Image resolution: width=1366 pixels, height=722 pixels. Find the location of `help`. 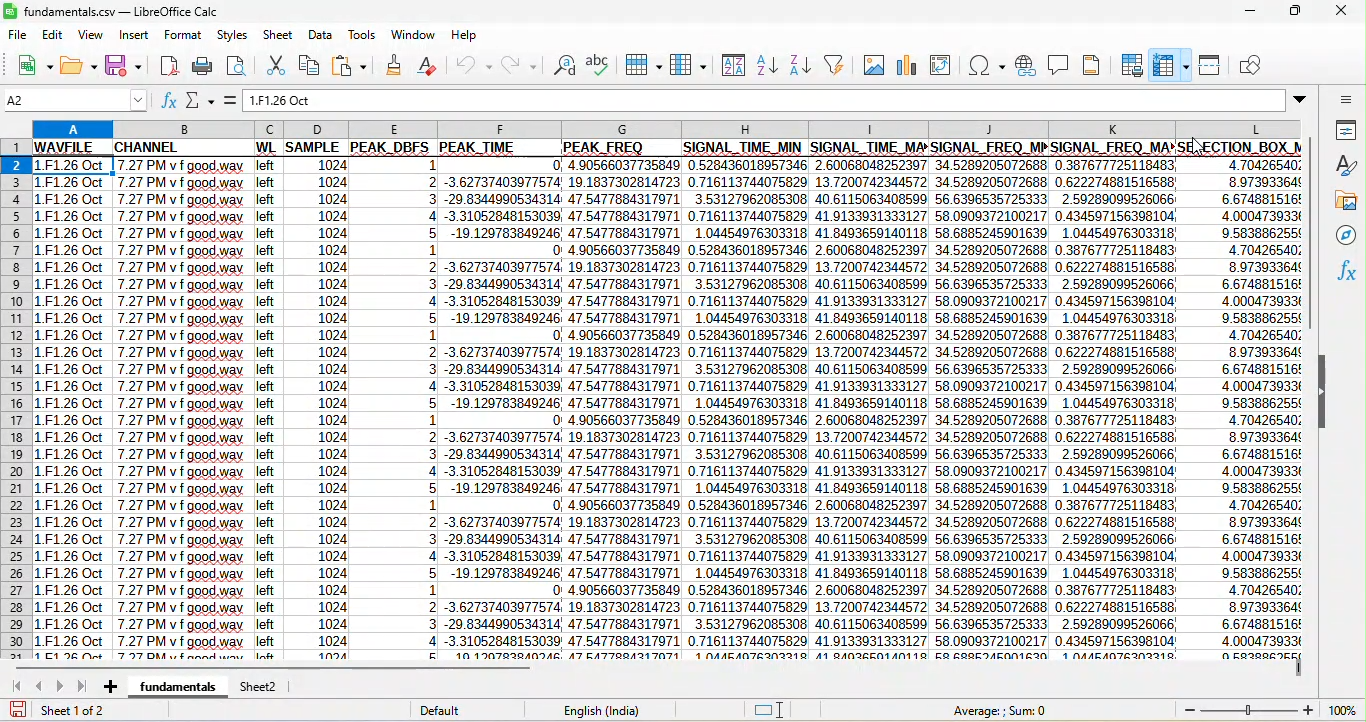

help is located at coordinates (462, 32).